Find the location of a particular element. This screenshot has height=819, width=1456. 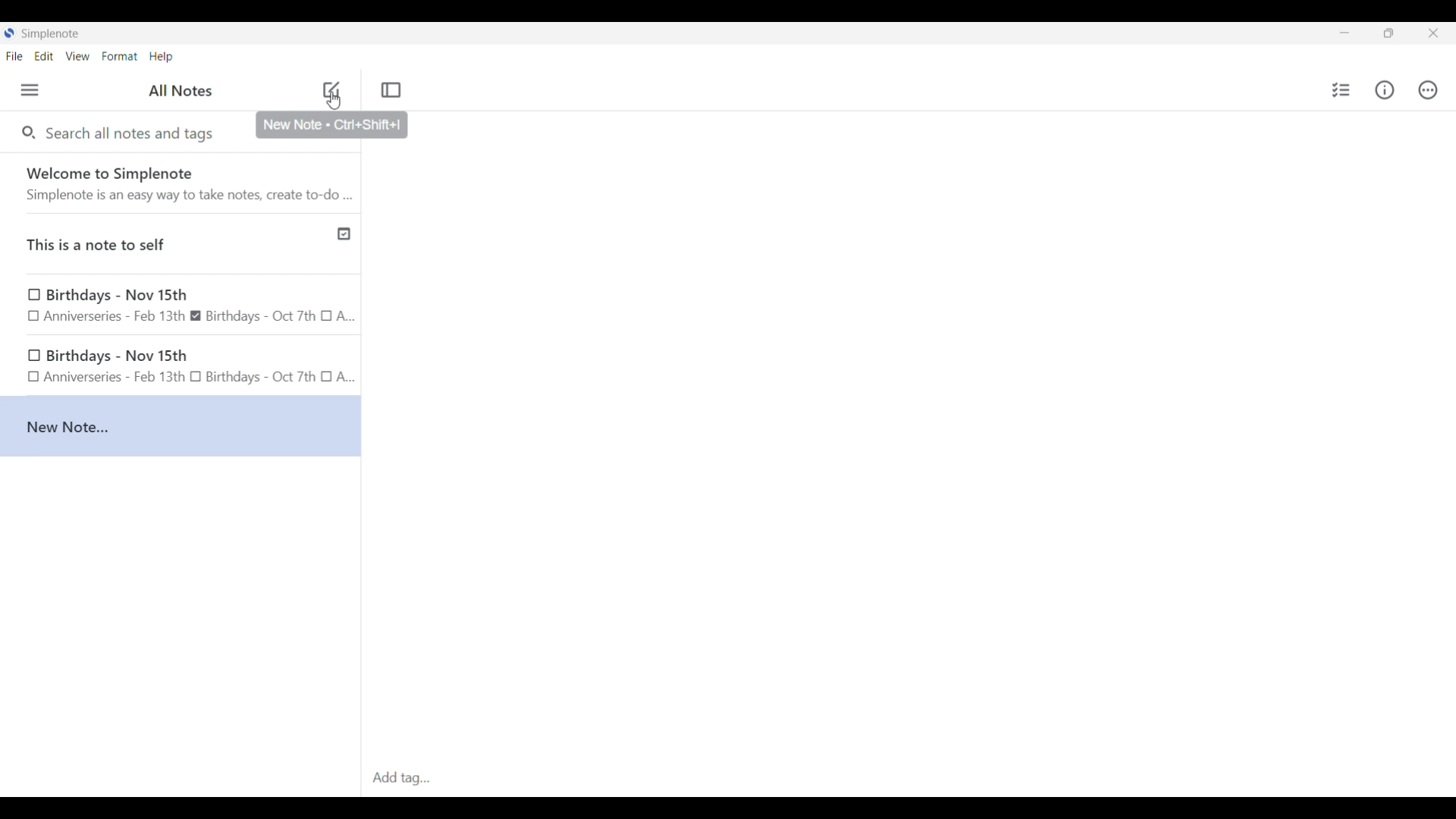

Click to type in tags is located at coordinates (908, 779).